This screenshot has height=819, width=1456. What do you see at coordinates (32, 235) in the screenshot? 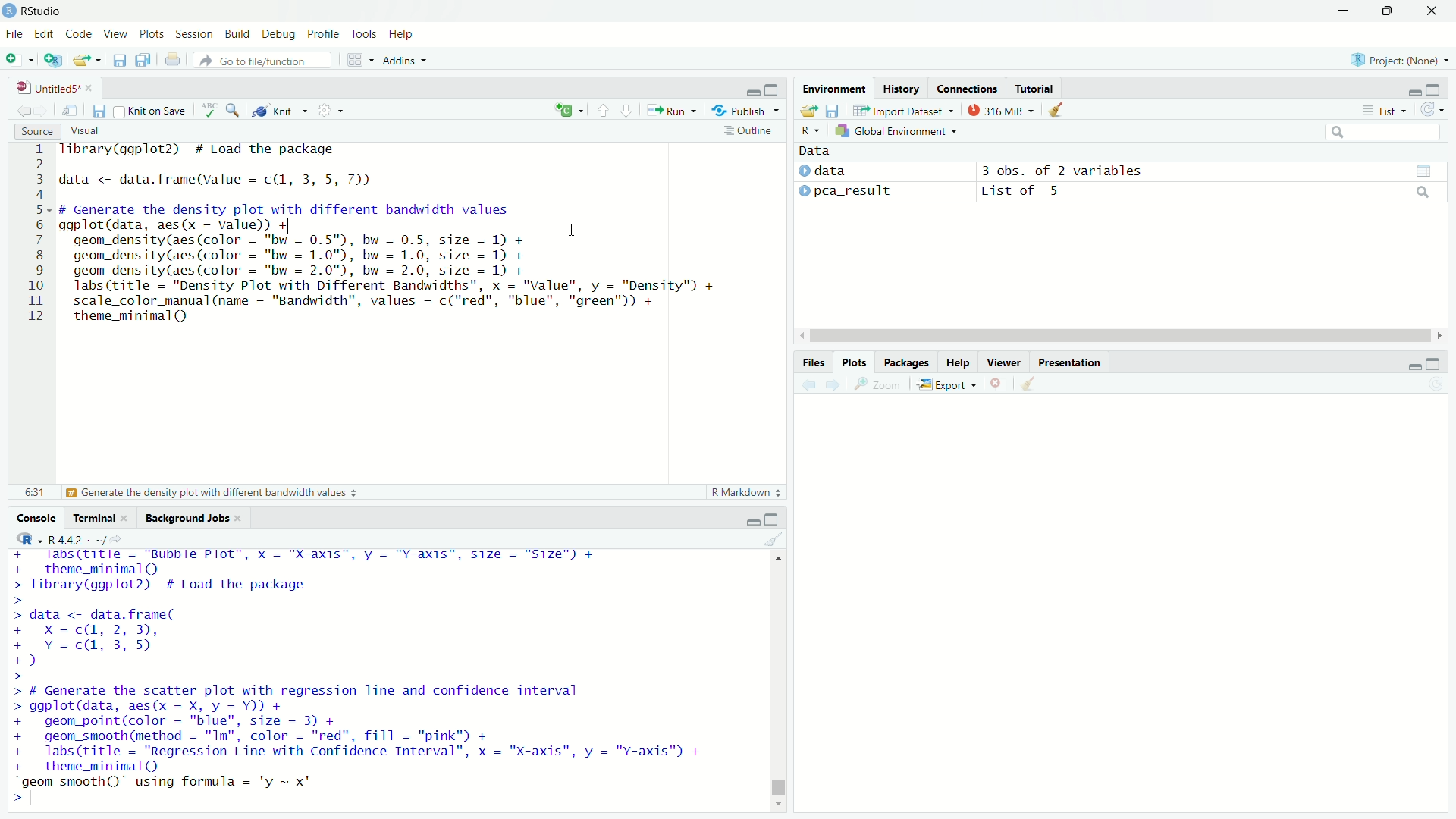
I see `Line numbers` at bounding box center [32, 235].